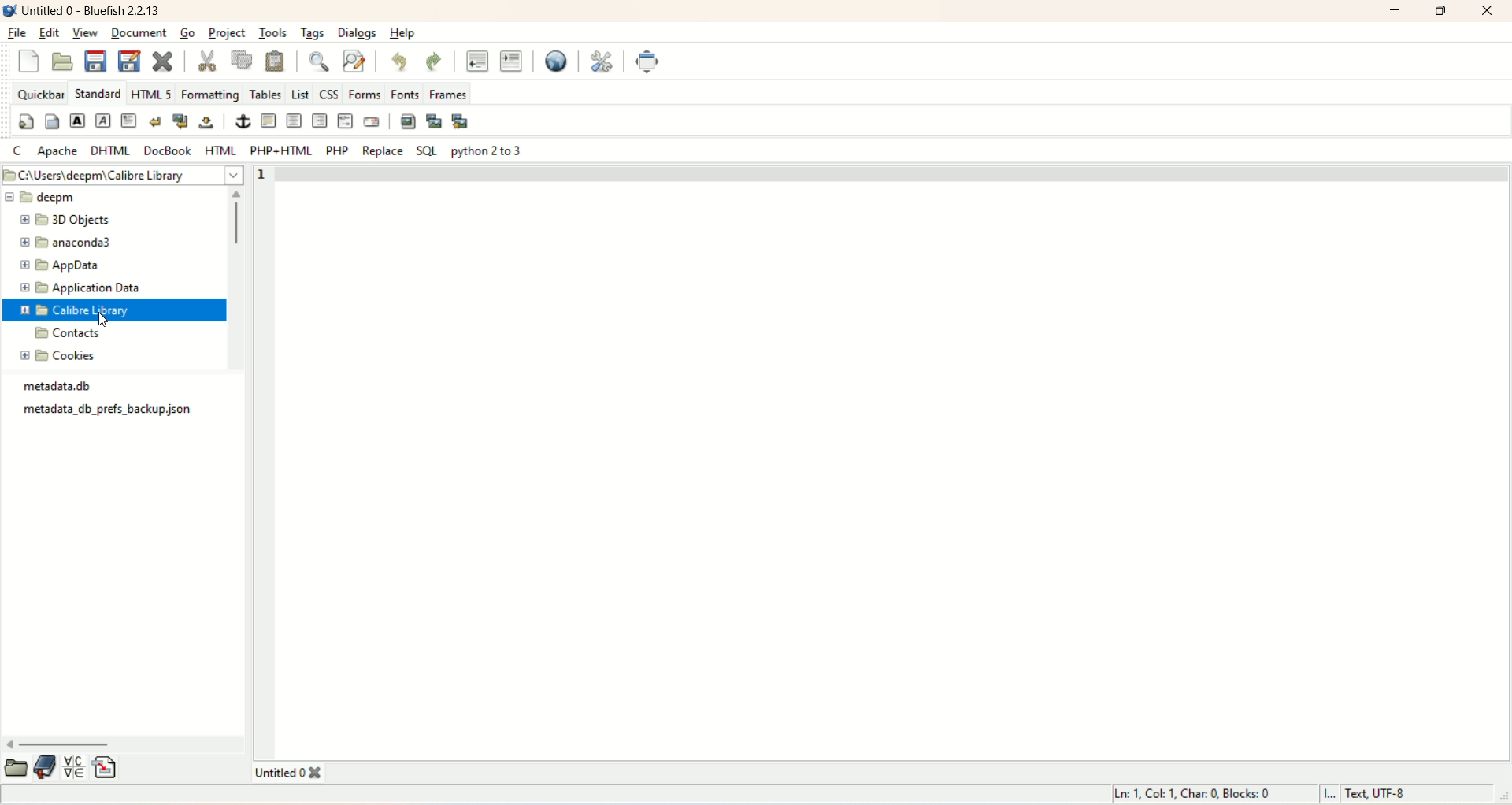  What do you see at coordinates (207, 59) in the screenshot?
I see `cut` at bounding box center [207, 59].